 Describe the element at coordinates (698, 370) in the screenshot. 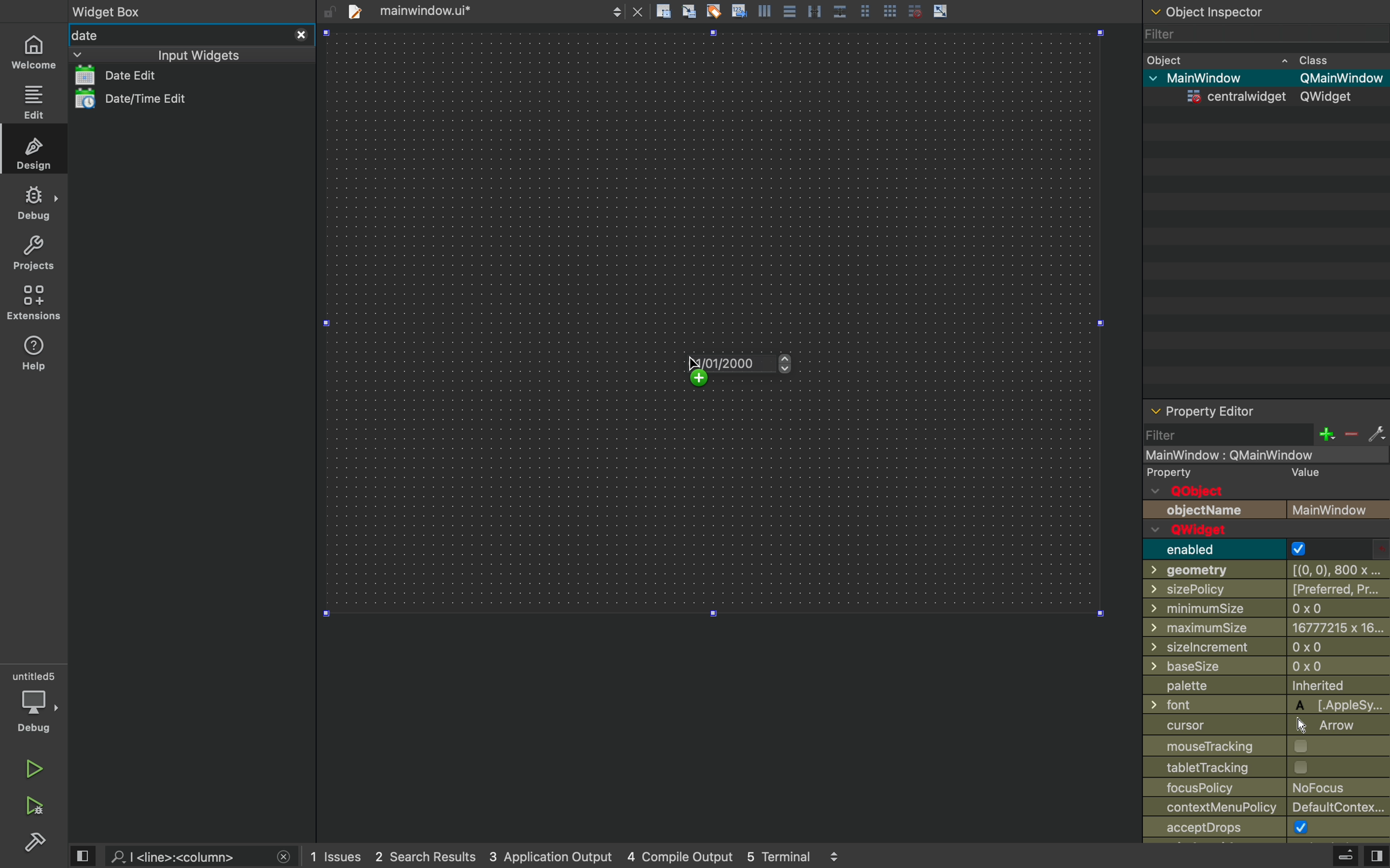

I see `cursor` at that location.